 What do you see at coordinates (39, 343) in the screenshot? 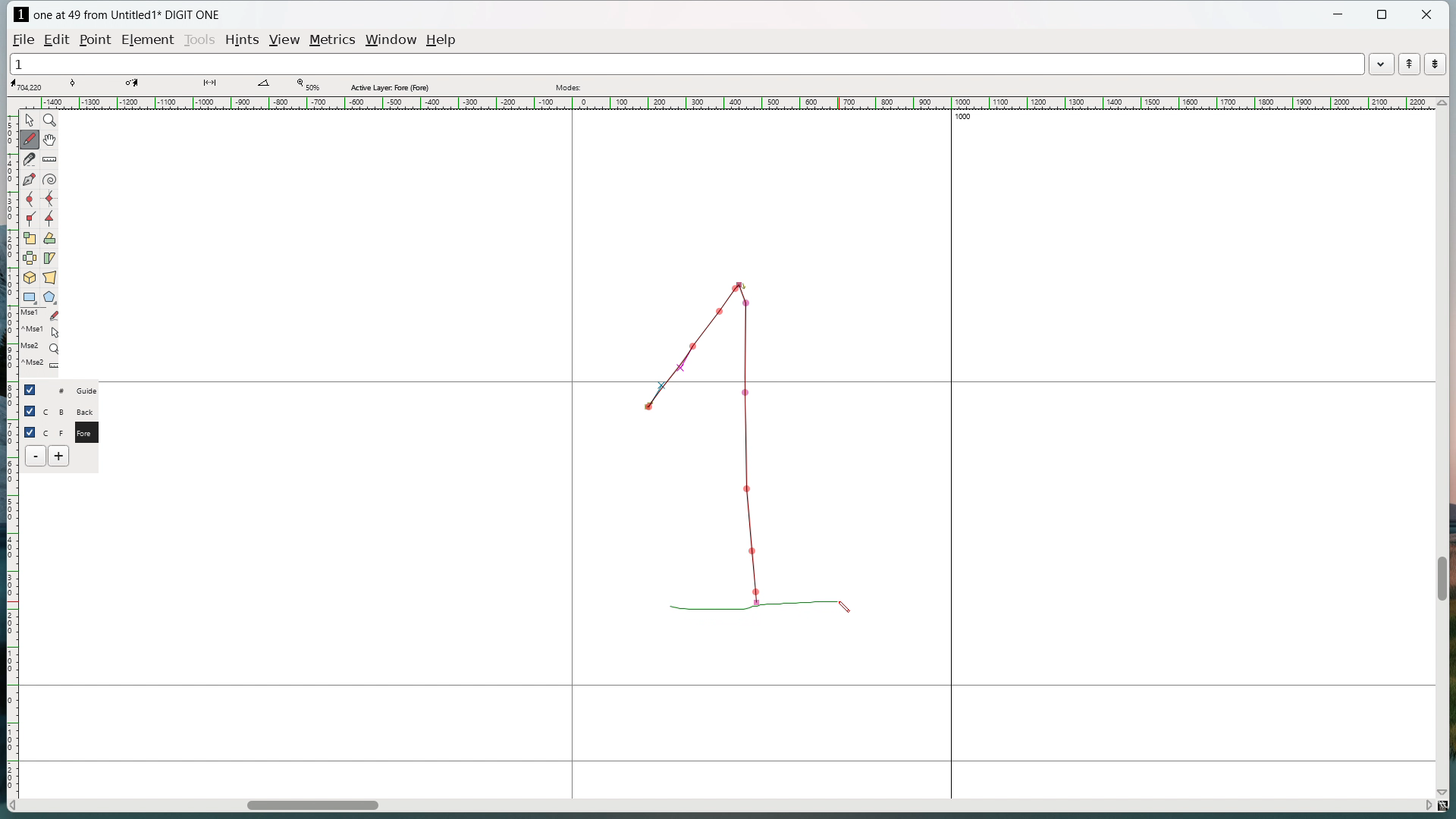
I see `last used tools` at bounding box center [39, 343].